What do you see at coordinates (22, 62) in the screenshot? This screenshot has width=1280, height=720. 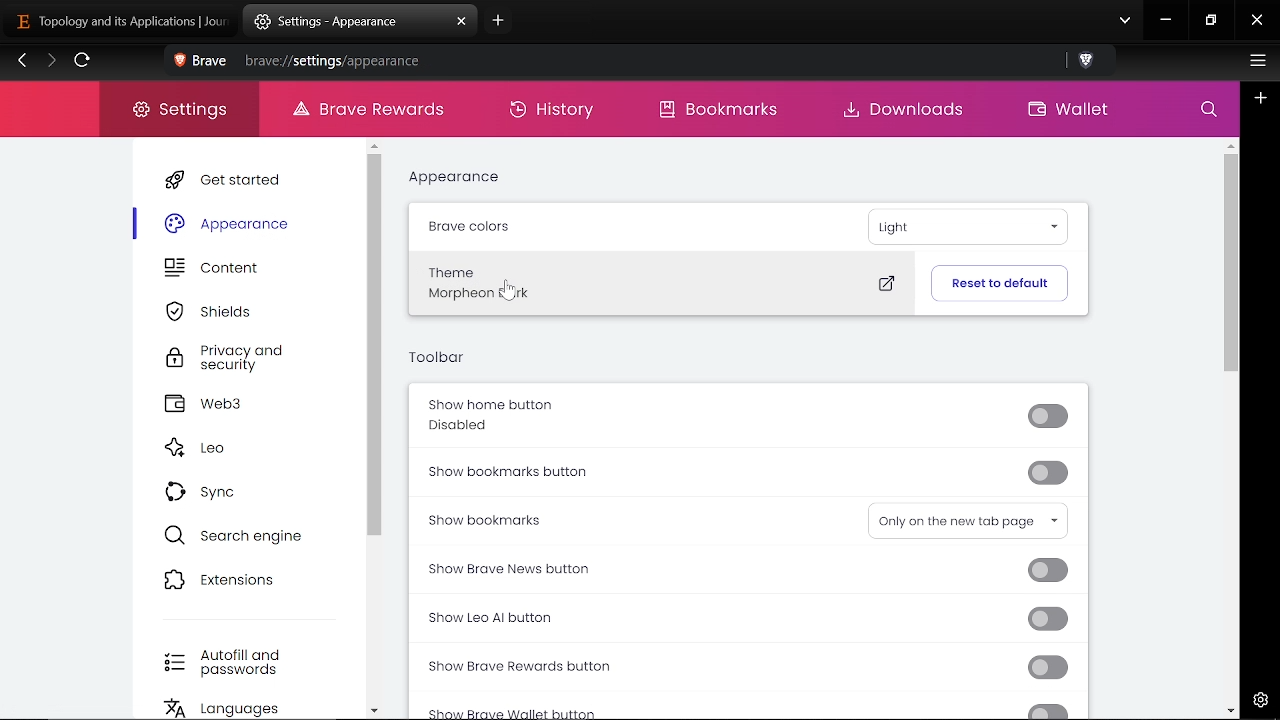 I see `Previous page` at bounding box center [22, 62].